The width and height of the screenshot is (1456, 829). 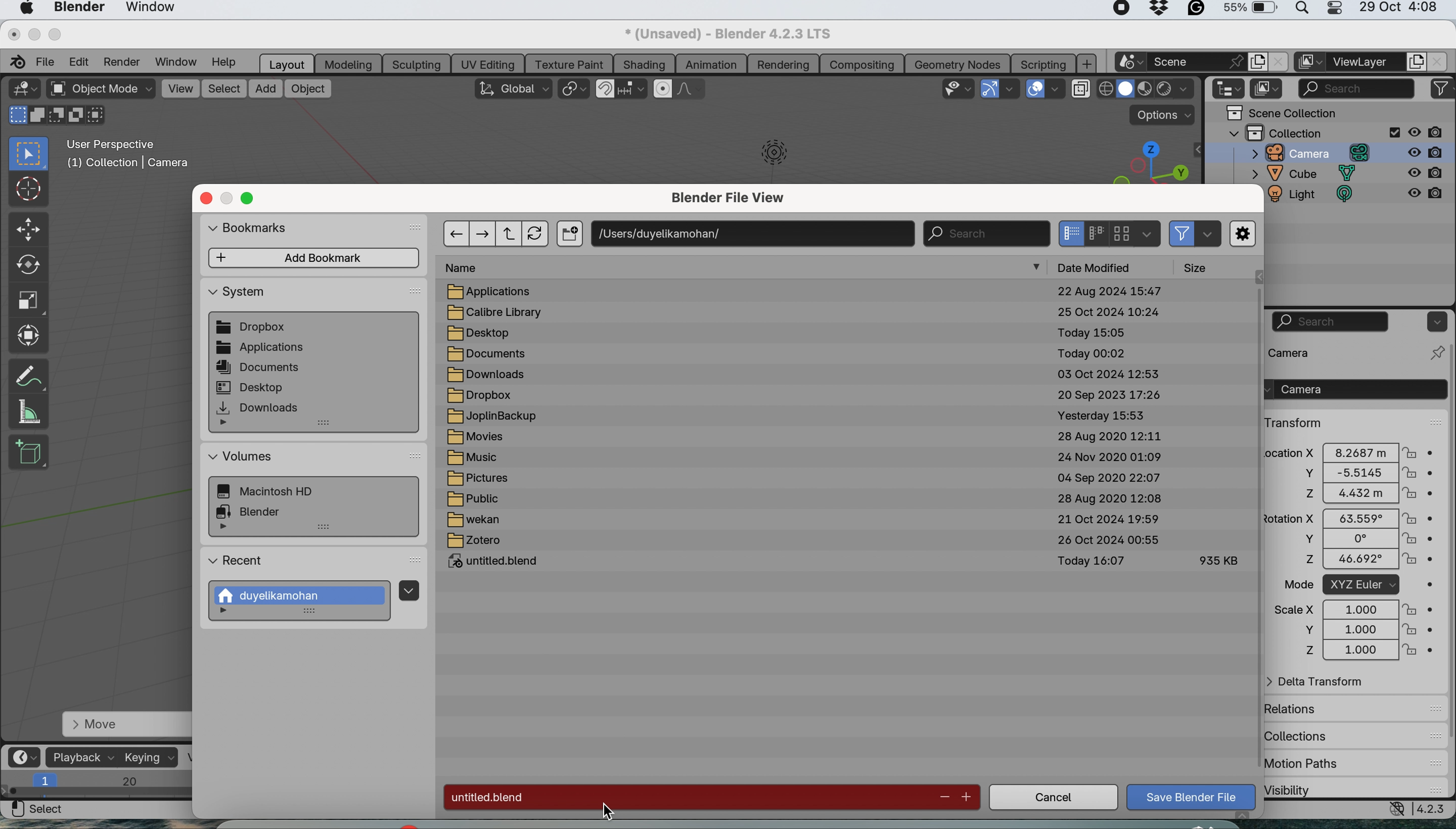 What do you see at coordinates (692, 91) in the screenshot?
I see `proportional editing falloff` at bounding box center [692, 91].